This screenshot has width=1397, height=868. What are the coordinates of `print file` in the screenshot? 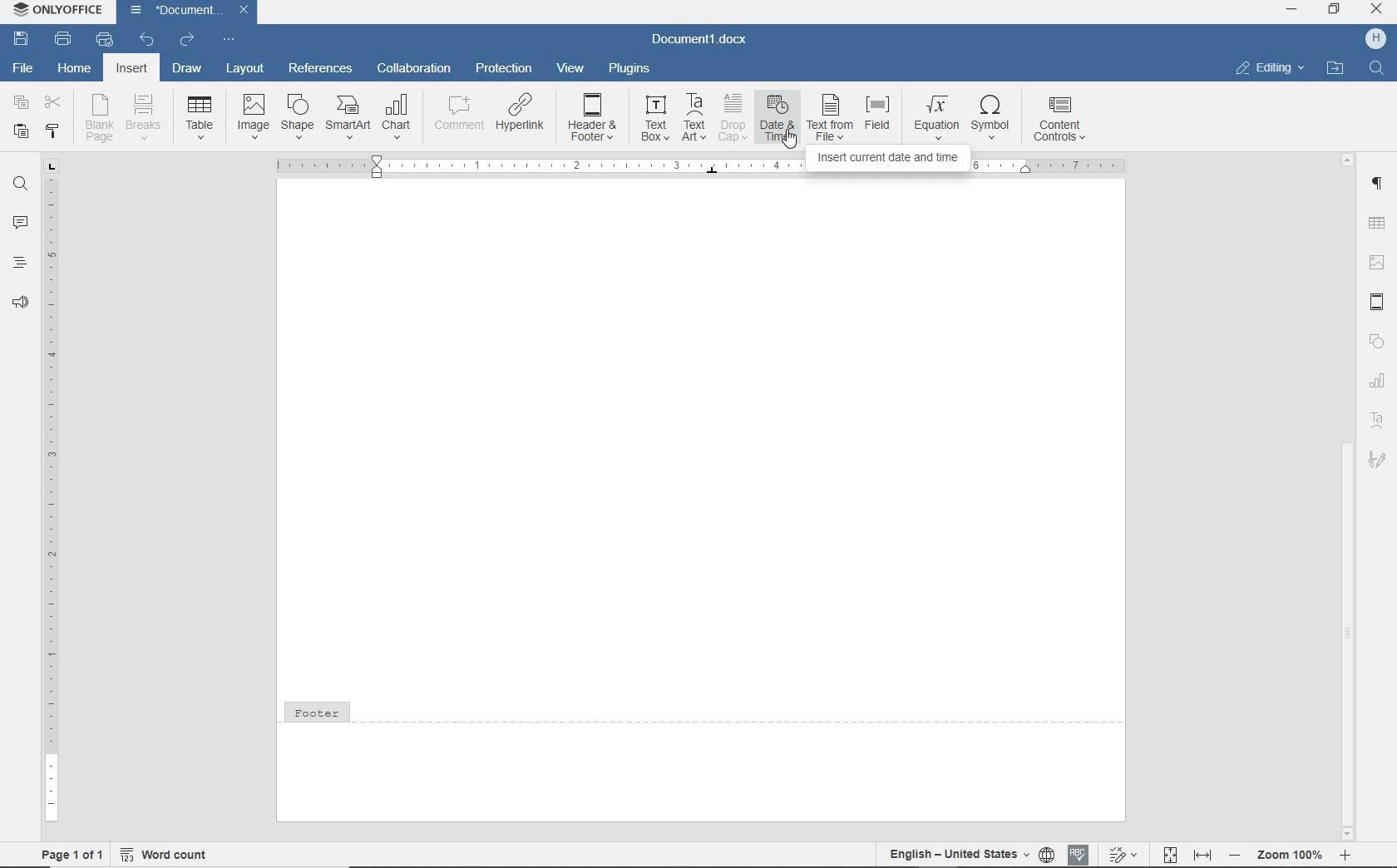 It's located at (65, 38).